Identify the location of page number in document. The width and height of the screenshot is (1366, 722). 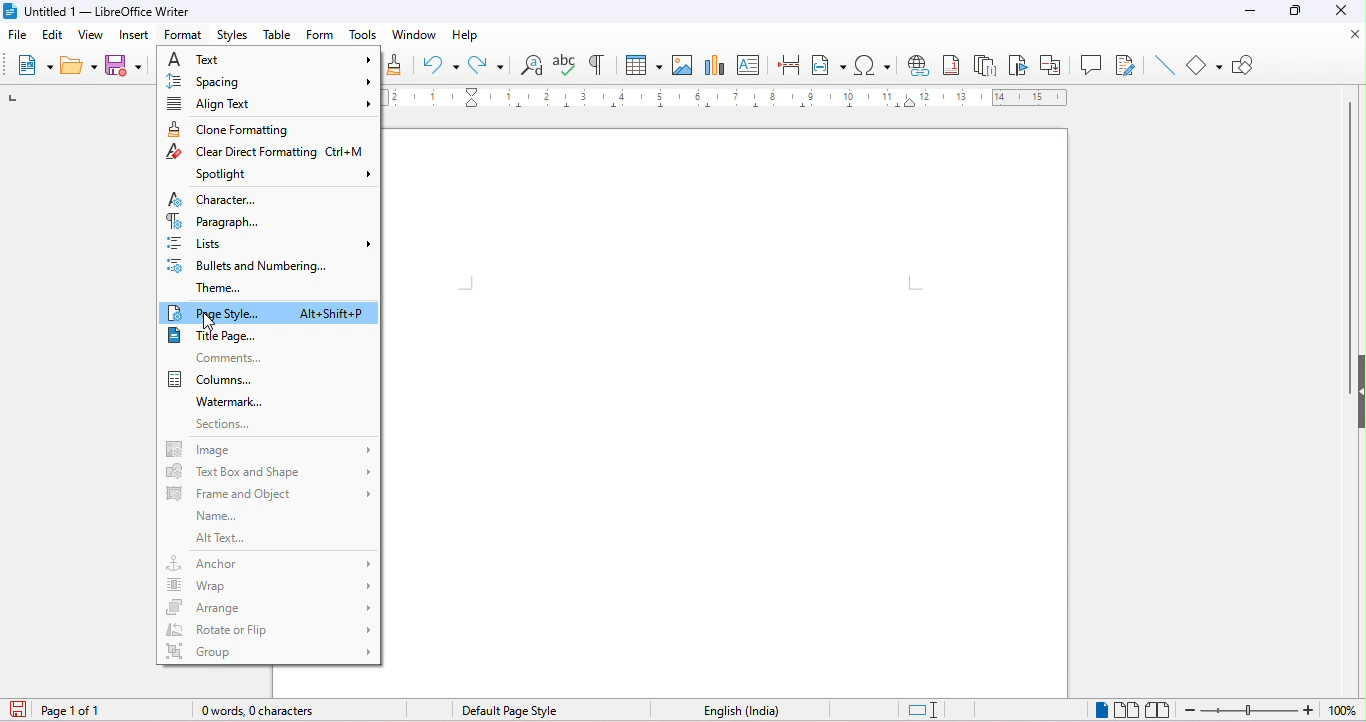
(74, 710).